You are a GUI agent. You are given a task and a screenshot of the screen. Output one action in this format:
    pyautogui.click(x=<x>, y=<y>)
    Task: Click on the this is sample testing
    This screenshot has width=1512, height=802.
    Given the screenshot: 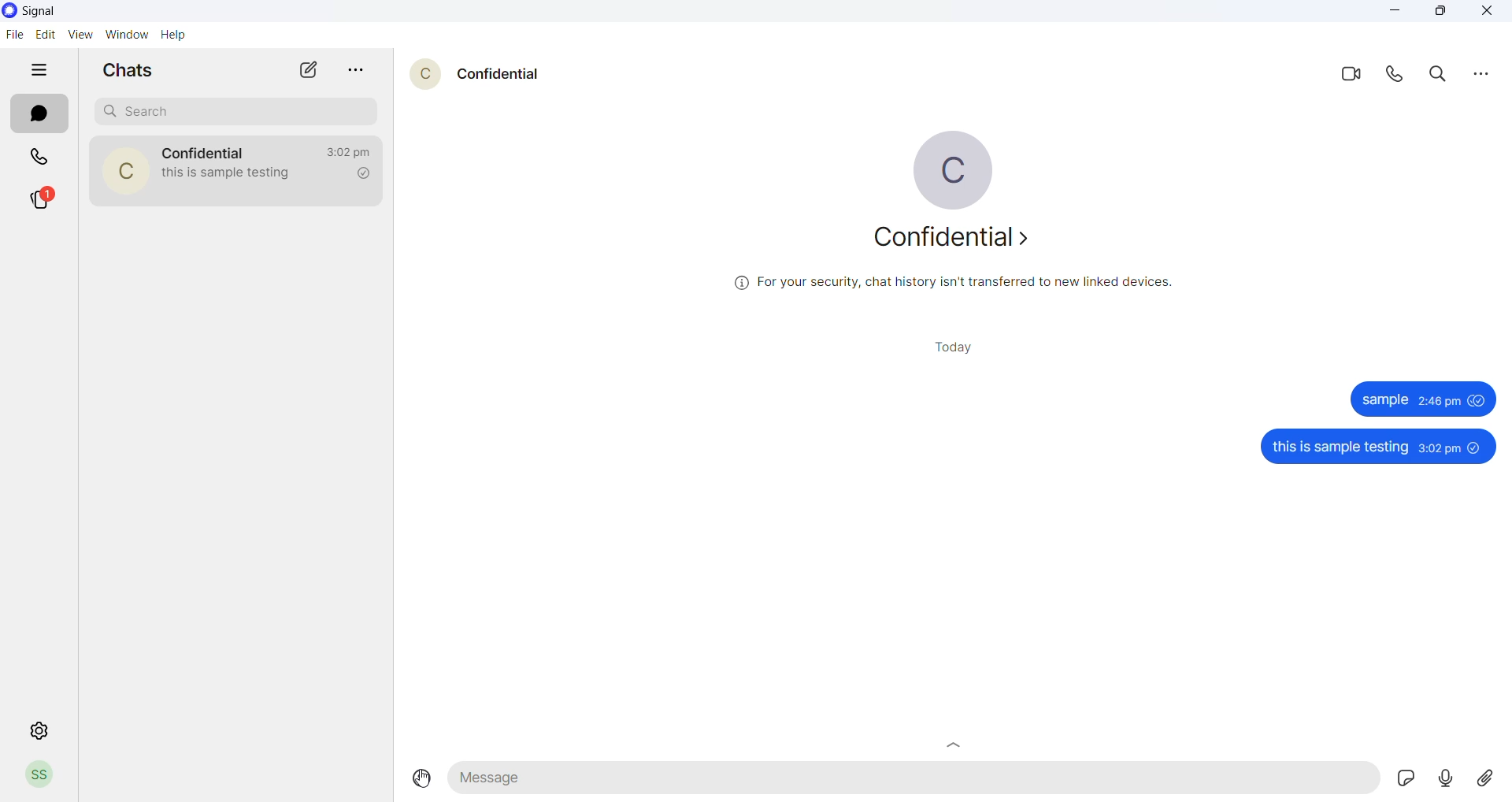 What is the action you would take?
    pyautogui.click(x=1336, y=447)
    